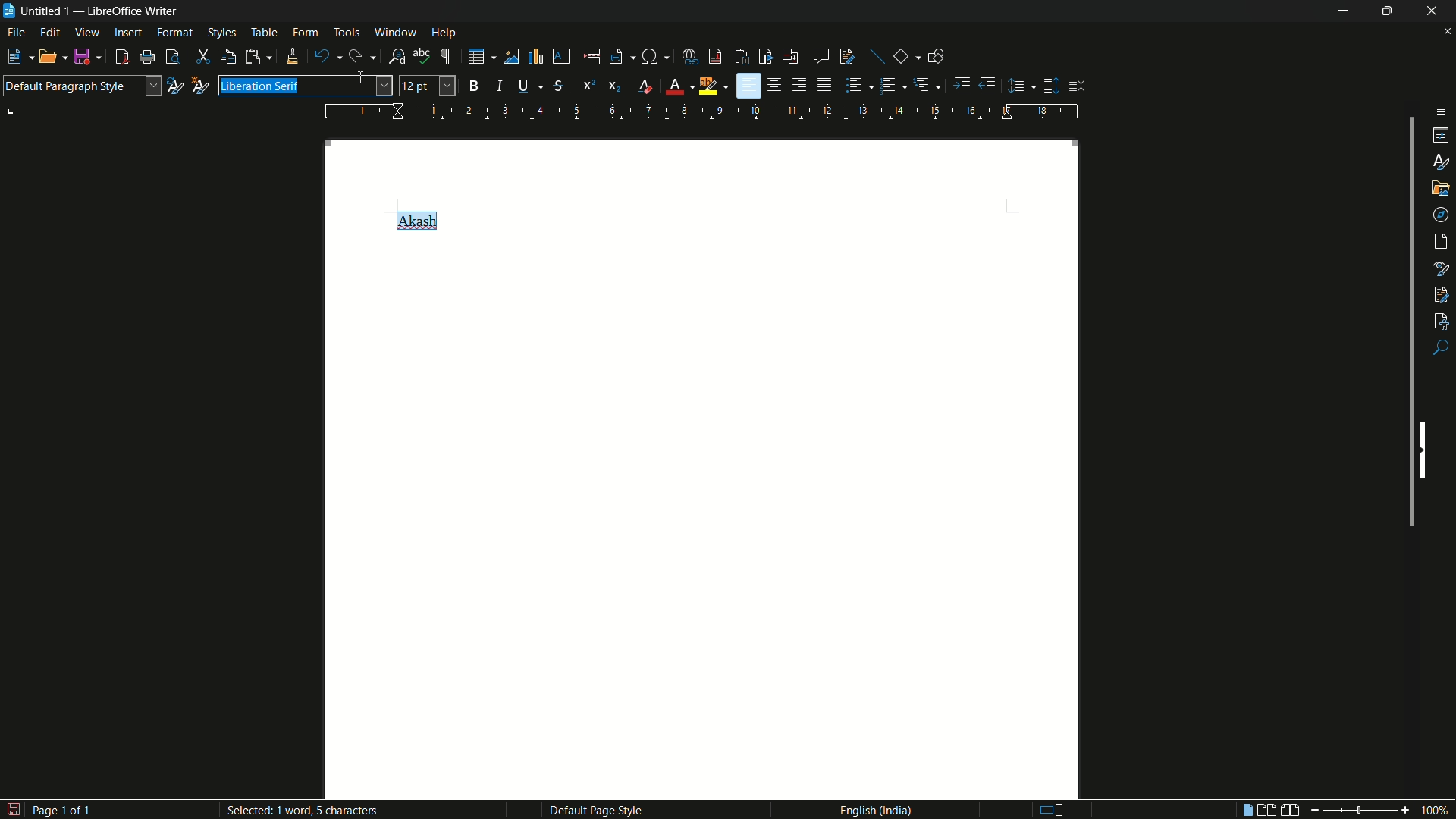 Image resolution: width=1456 pixels, height=819 pixels. I want to click on find, so click(1441, 349).